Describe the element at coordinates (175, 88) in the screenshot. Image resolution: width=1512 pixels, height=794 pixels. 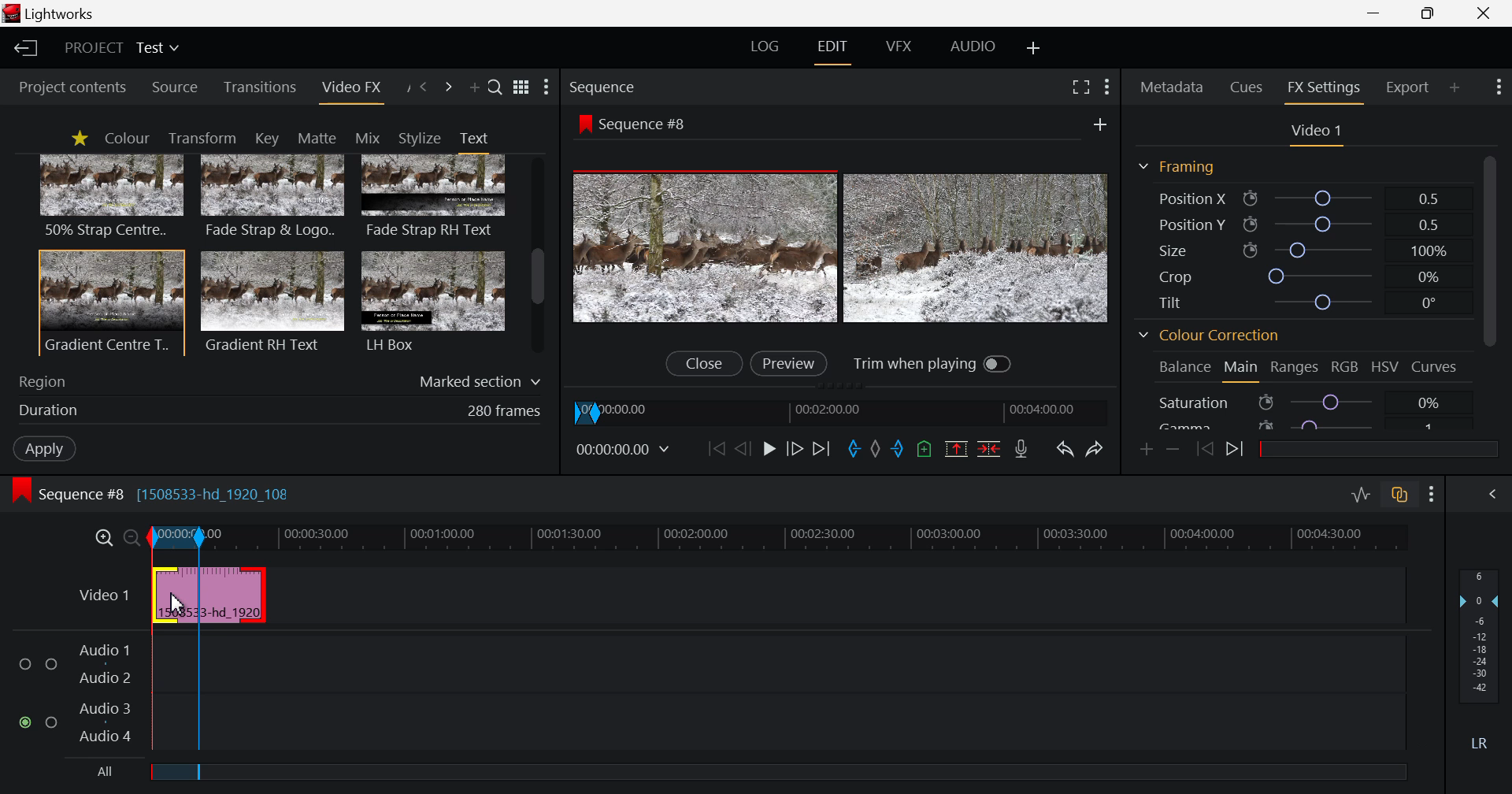
I see `Source` at that location.